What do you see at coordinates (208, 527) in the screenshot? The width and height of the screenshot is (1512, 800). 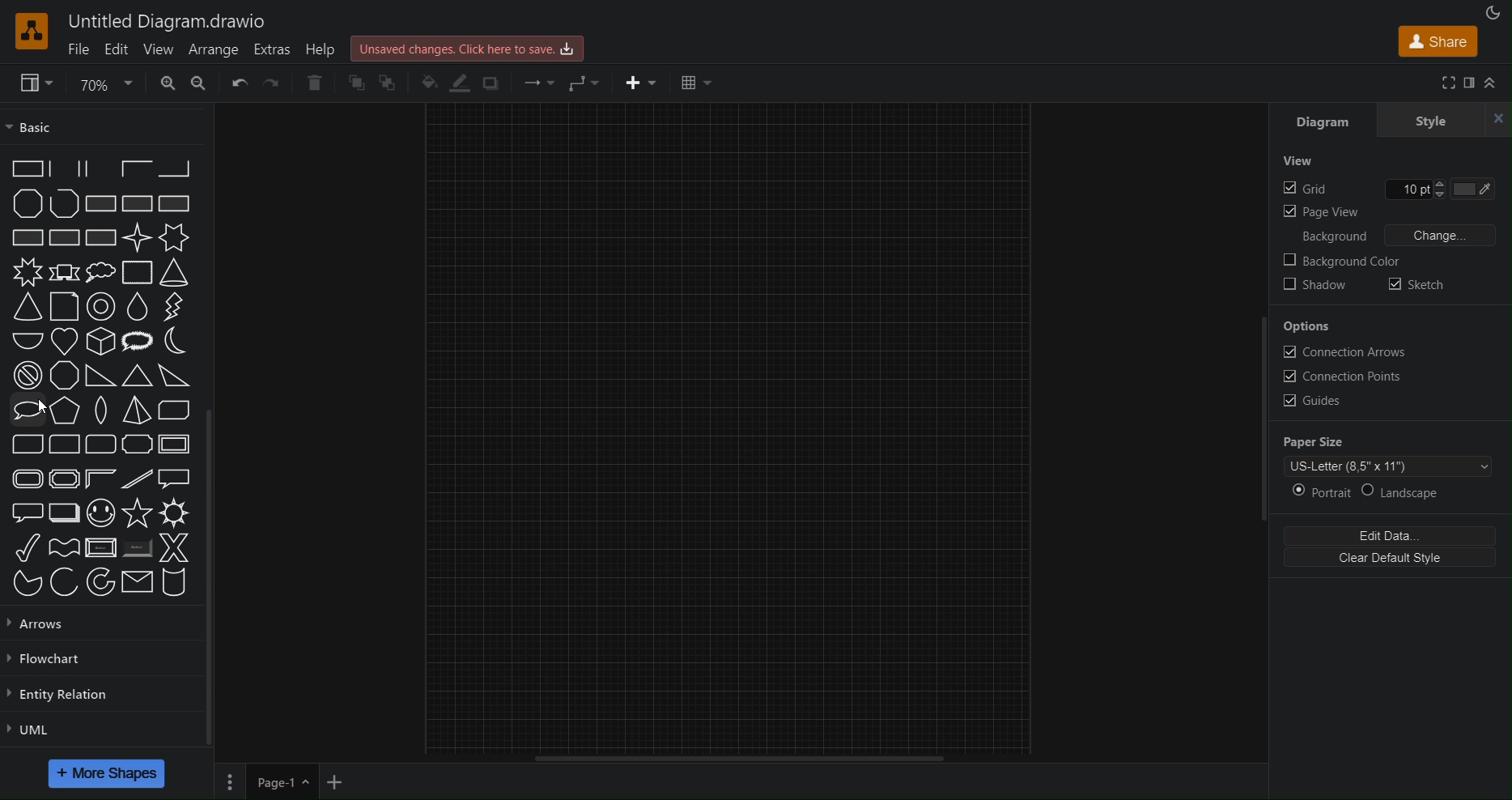 I see `Scrollbar` at bounding box center [208, 527].